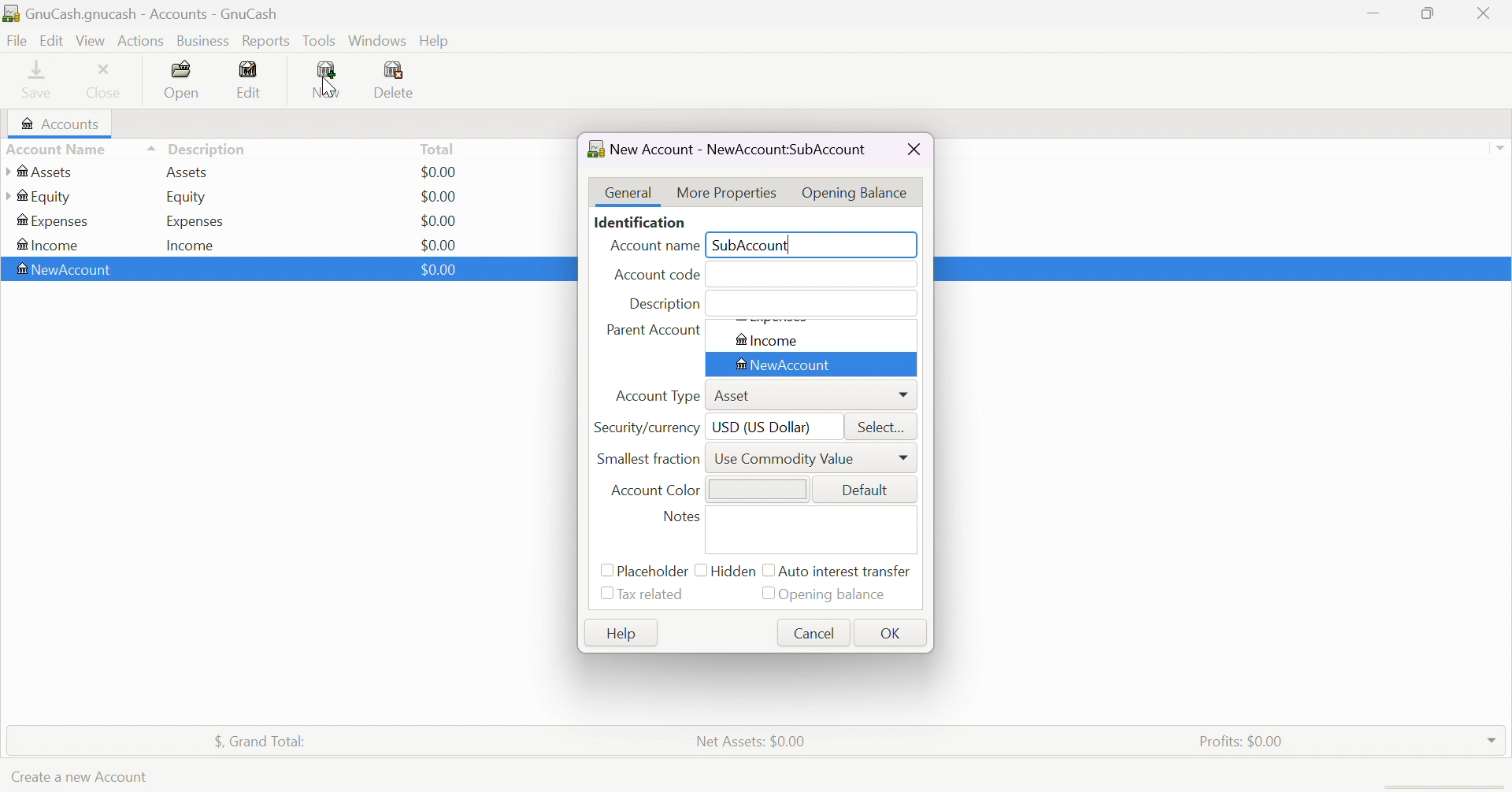 The width and height of the screenshot is (1512, 792). Describe the element at coordinates (681, 517) in the screenshot. I see `Notes` at that location.